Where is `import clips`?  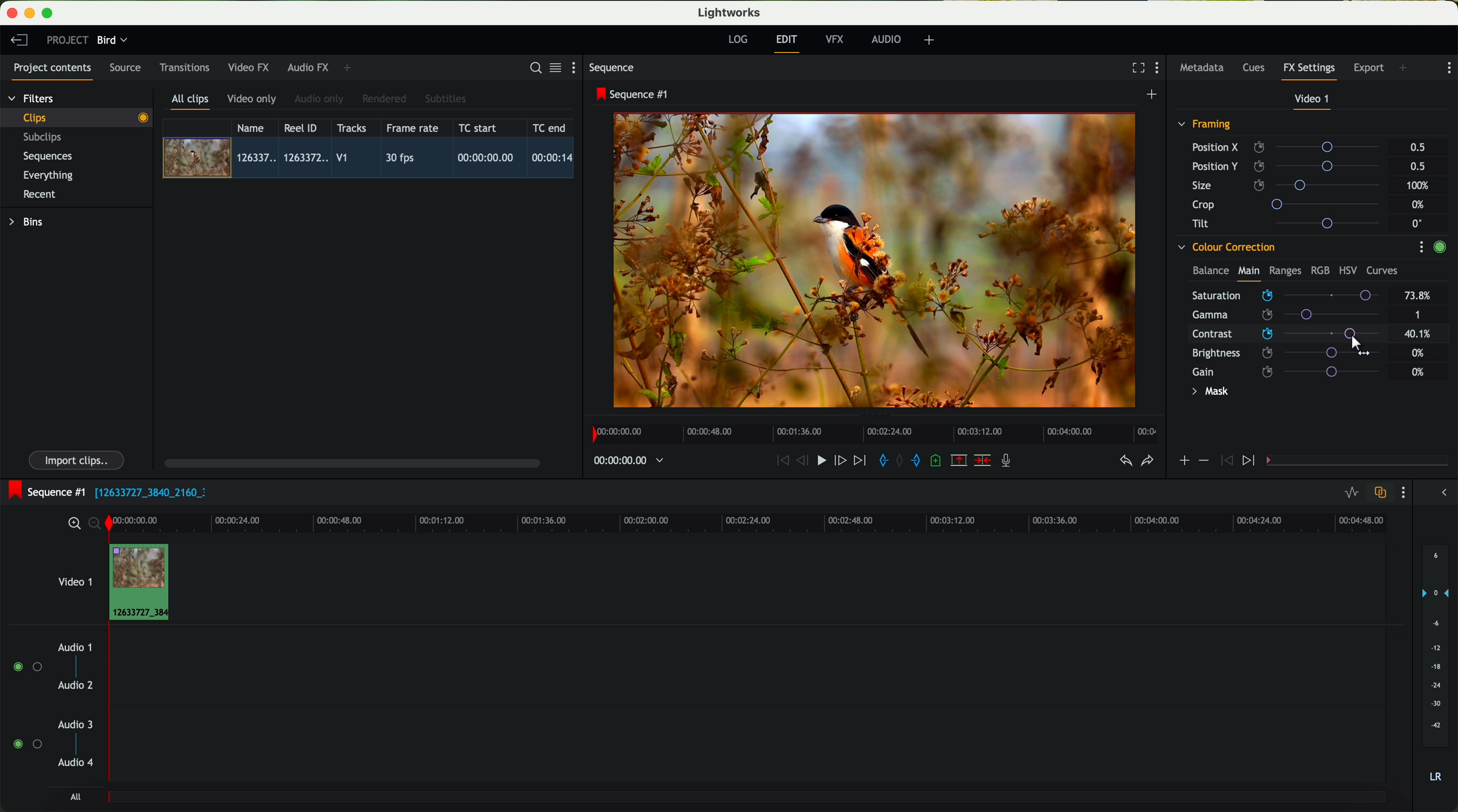 import clips is located at coordinates (78, 459).